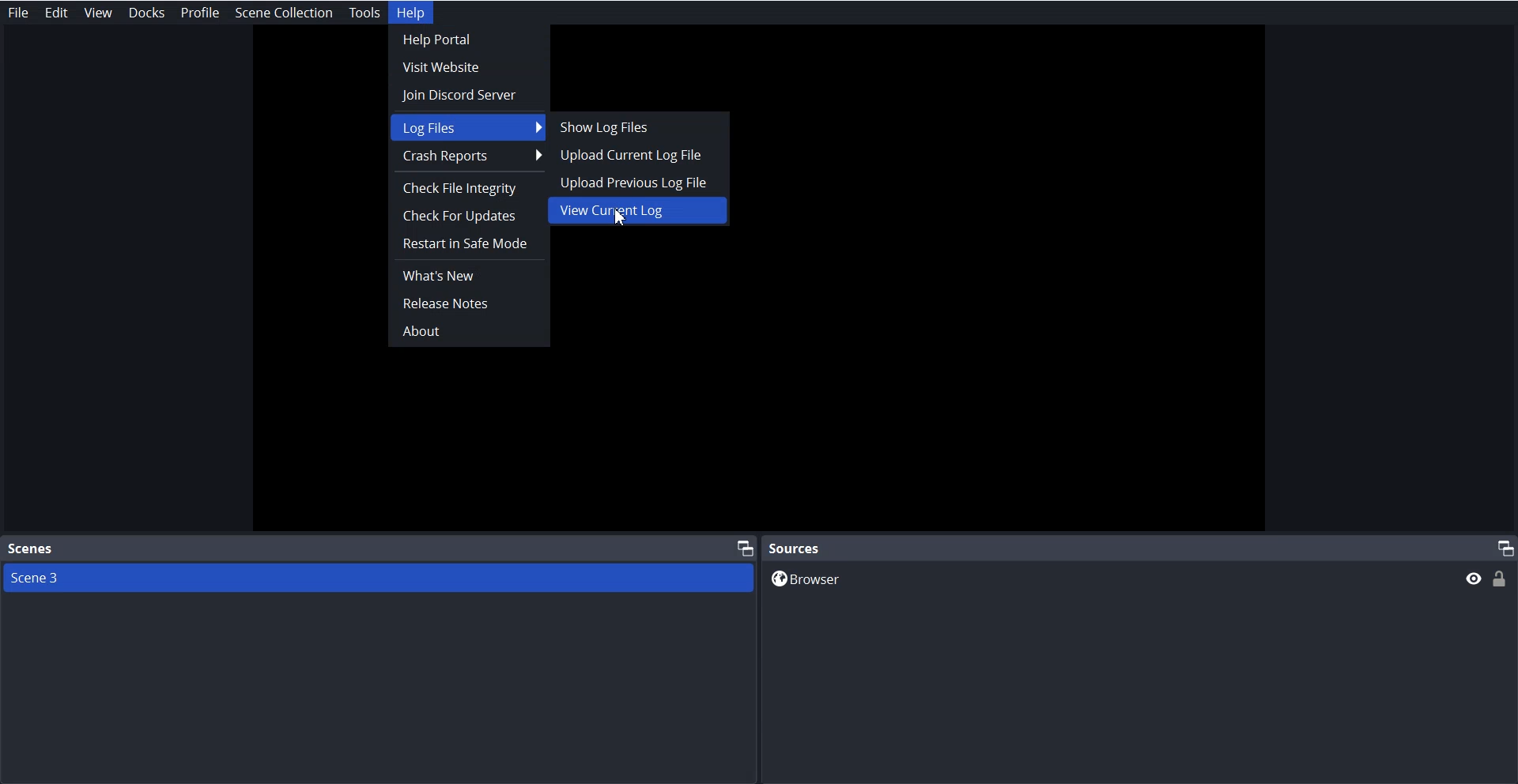  What do you see at coordinates (466, 330) in the screenshot?
I see `About` at bounding box center [466, 330].